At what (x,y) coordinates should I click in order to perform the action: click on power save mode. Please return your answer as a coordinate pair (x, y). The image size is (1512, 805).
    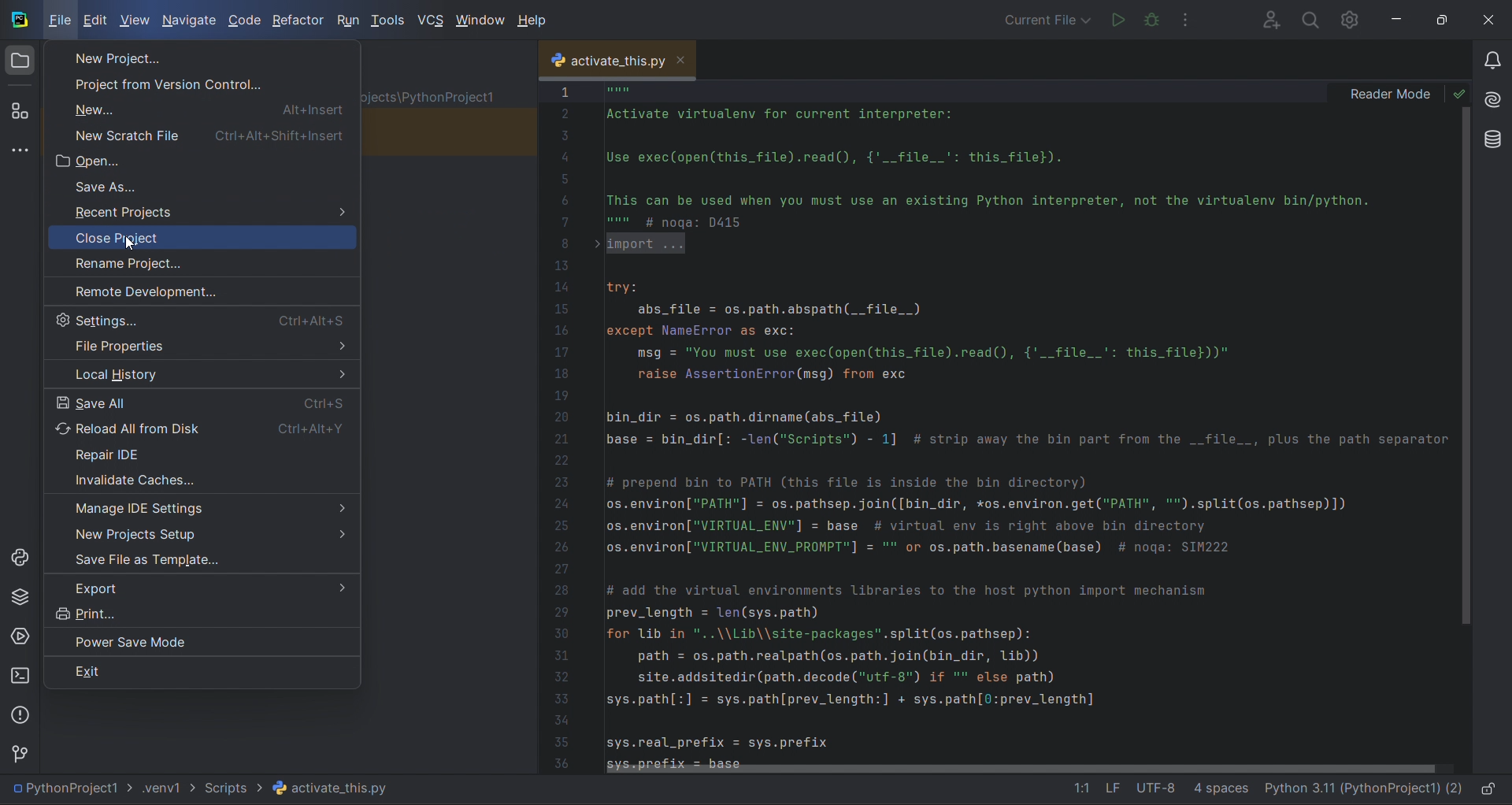
    Looking at the image, I should click on (200, 641).